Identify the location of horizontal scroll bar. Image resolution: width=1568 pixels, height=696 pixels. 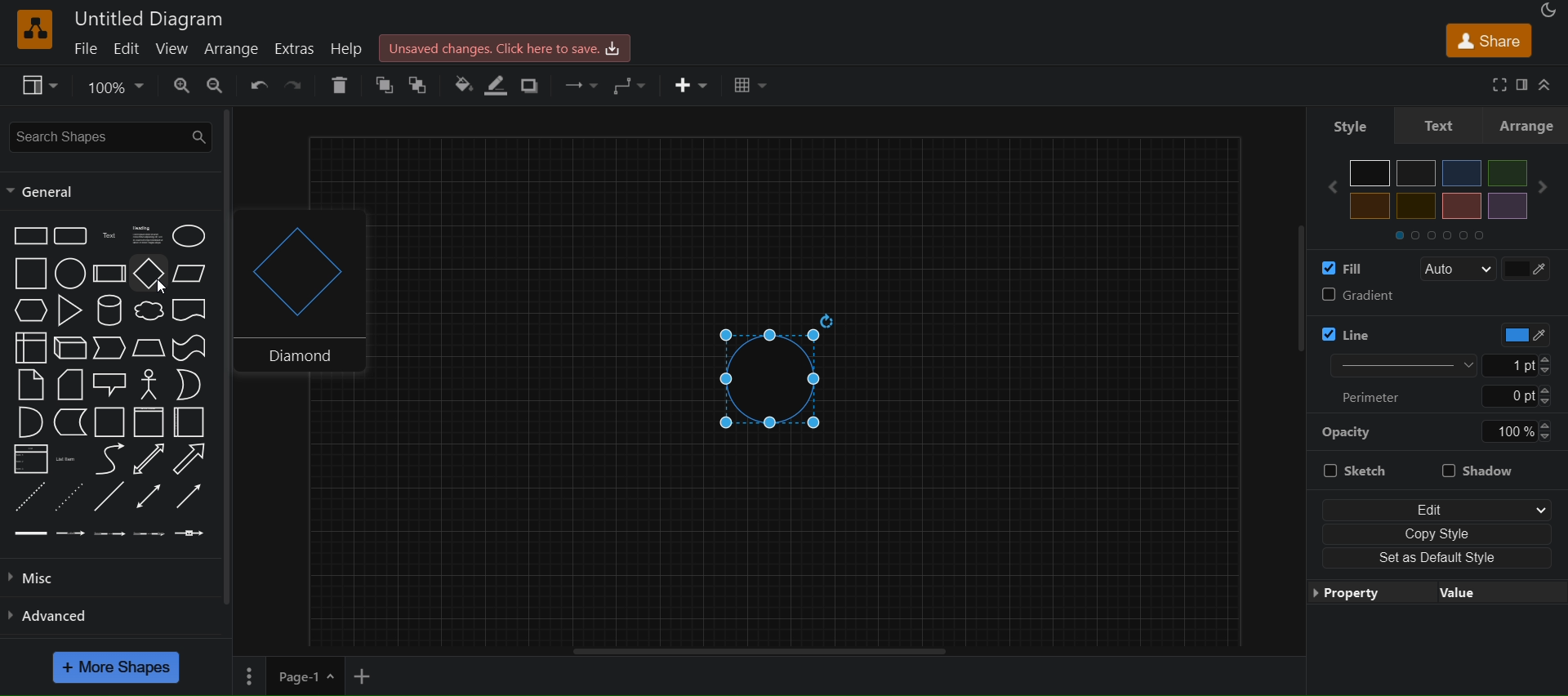
(760, 652).